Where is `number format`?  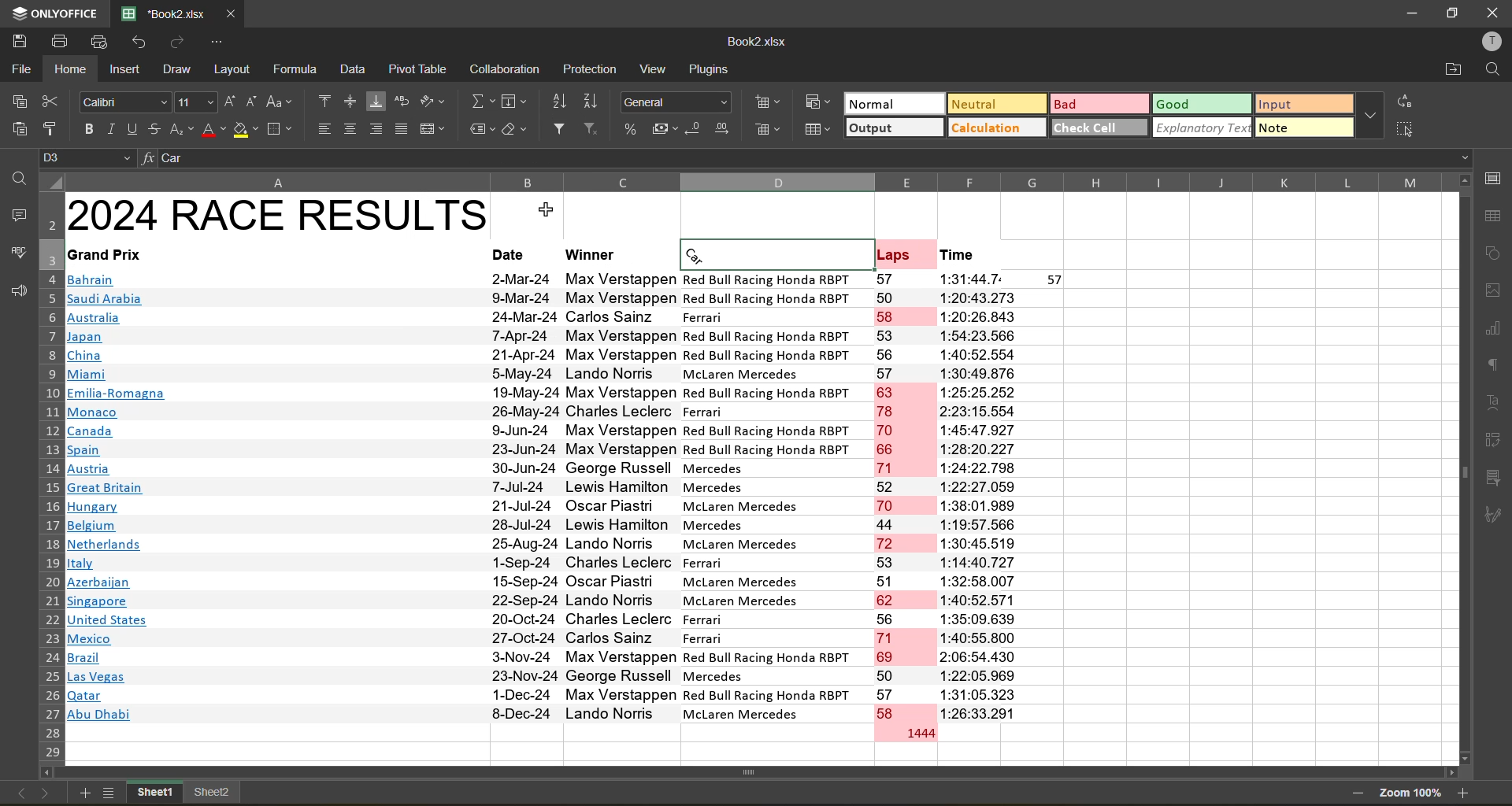 number format is located at coordinates (676, 102).